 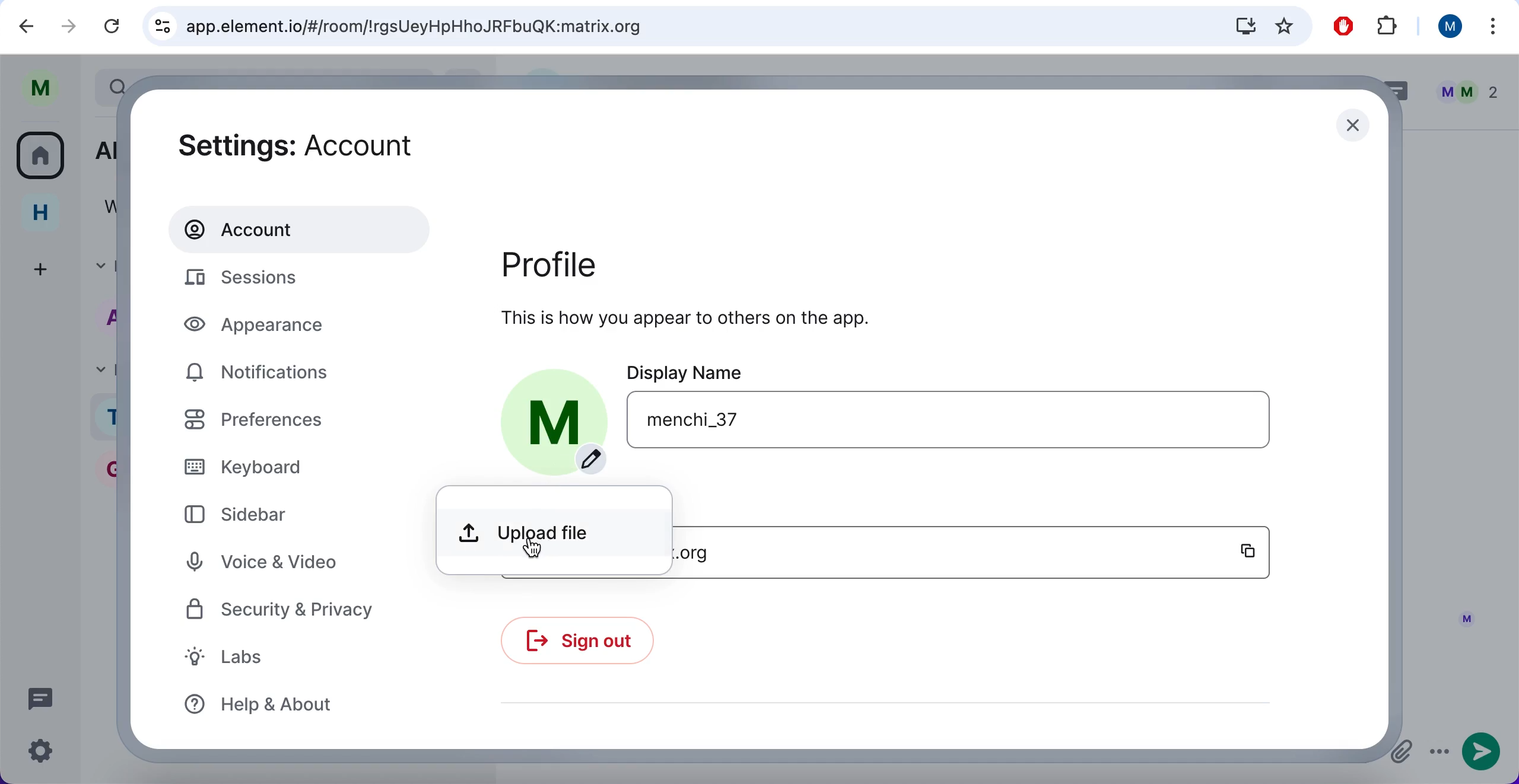 What do you see at coordinates (265, 466) in the screenshot?
I see `keyboard` at bounding box center [265, 466].